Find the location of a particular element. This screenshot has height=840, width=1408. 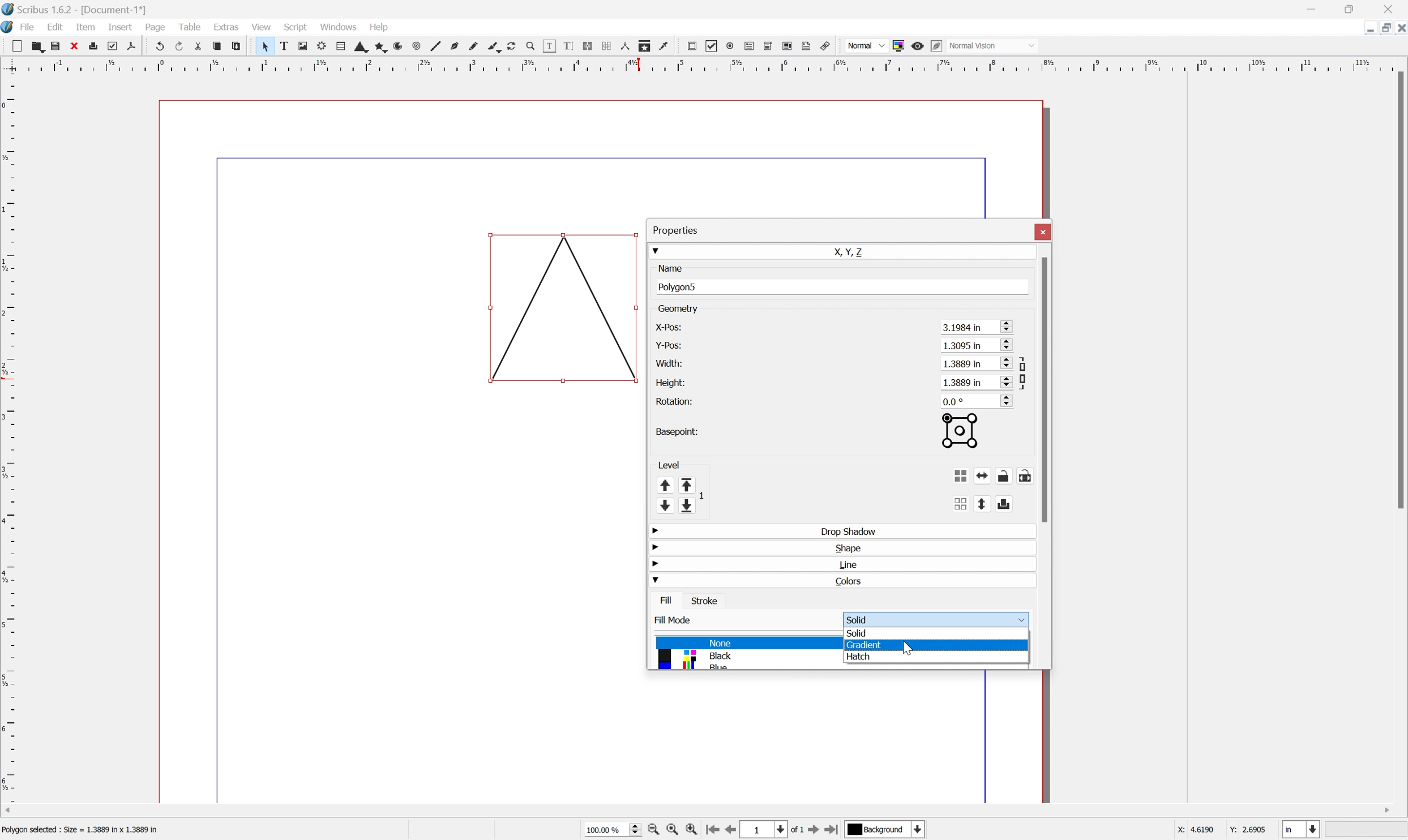

Script is located at coordinates (297, 27).